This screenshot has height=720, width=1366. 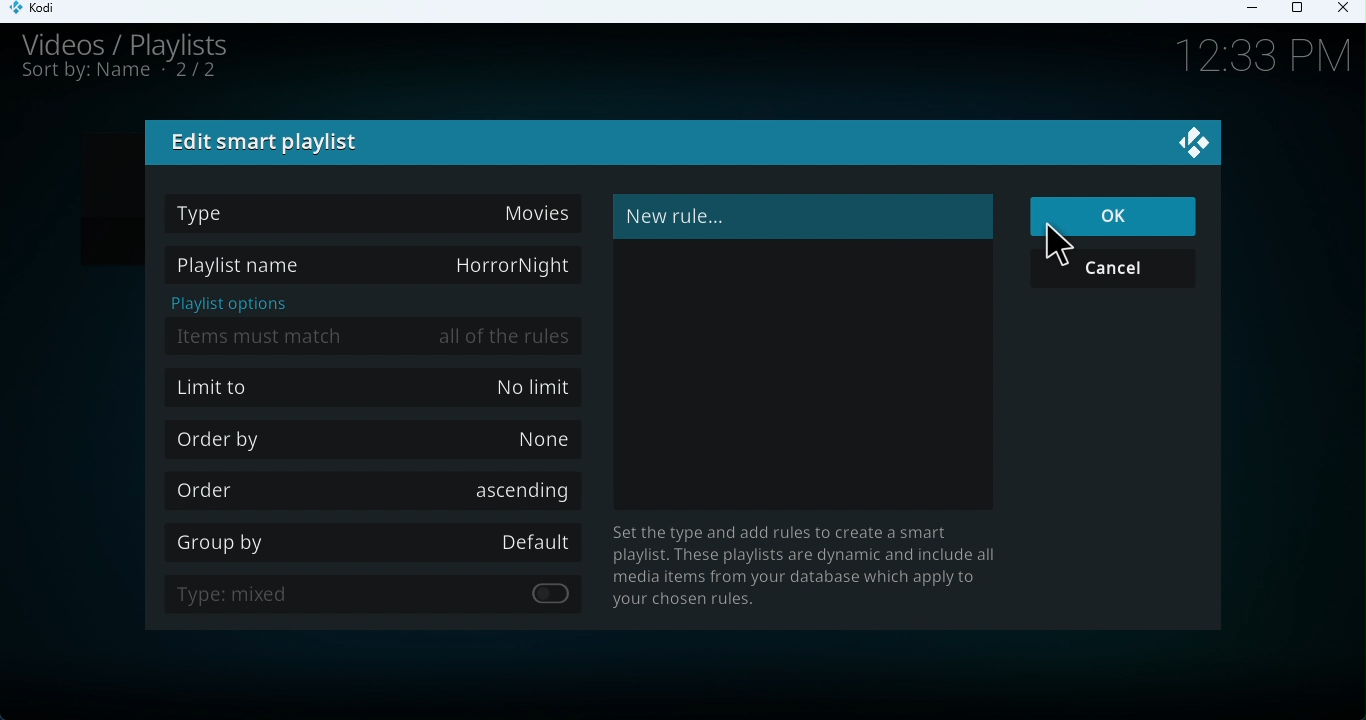 I want to click on OK, so click(x=1112, y=214).